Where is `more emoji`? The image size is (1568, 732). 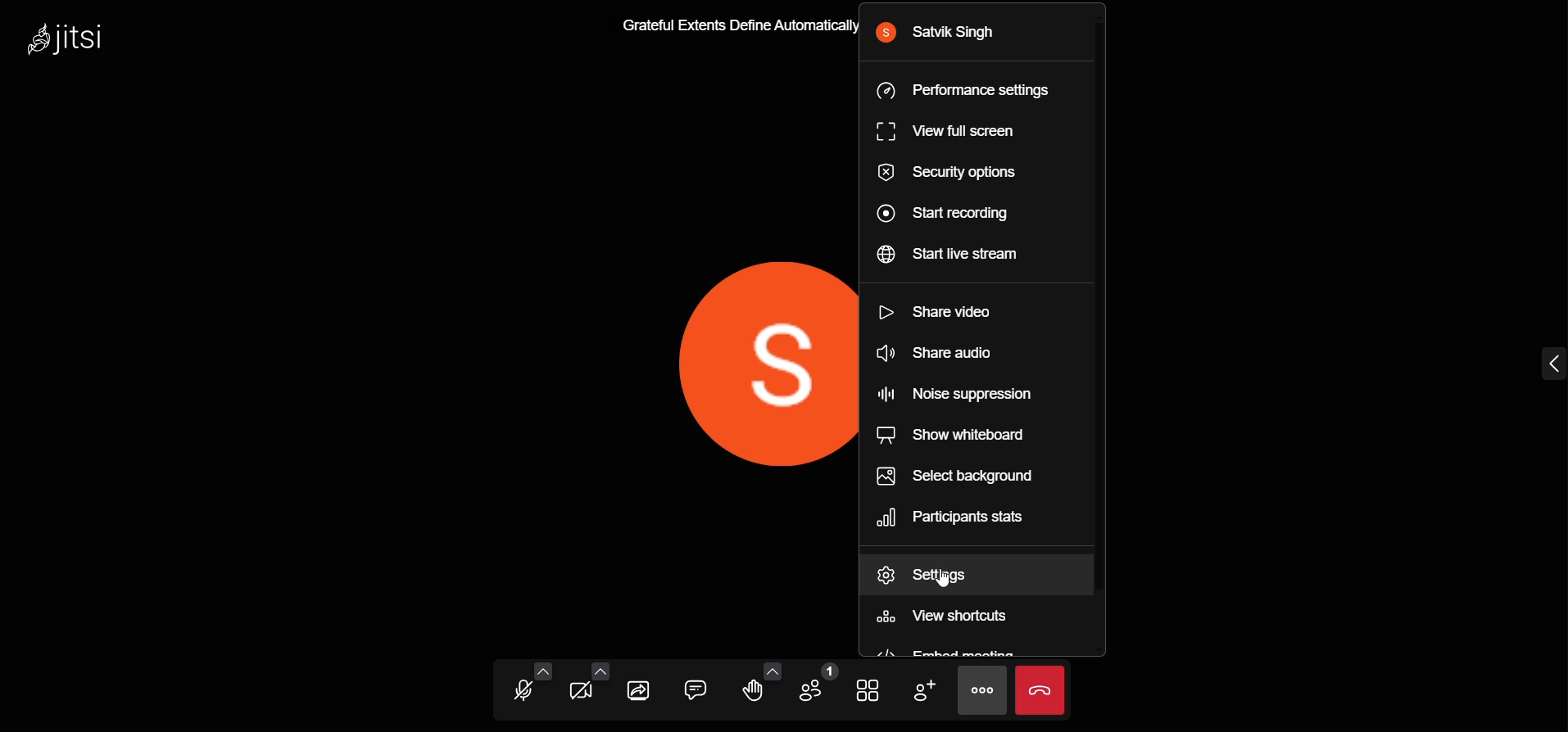
more emoji is located at coordinates (775, 669).